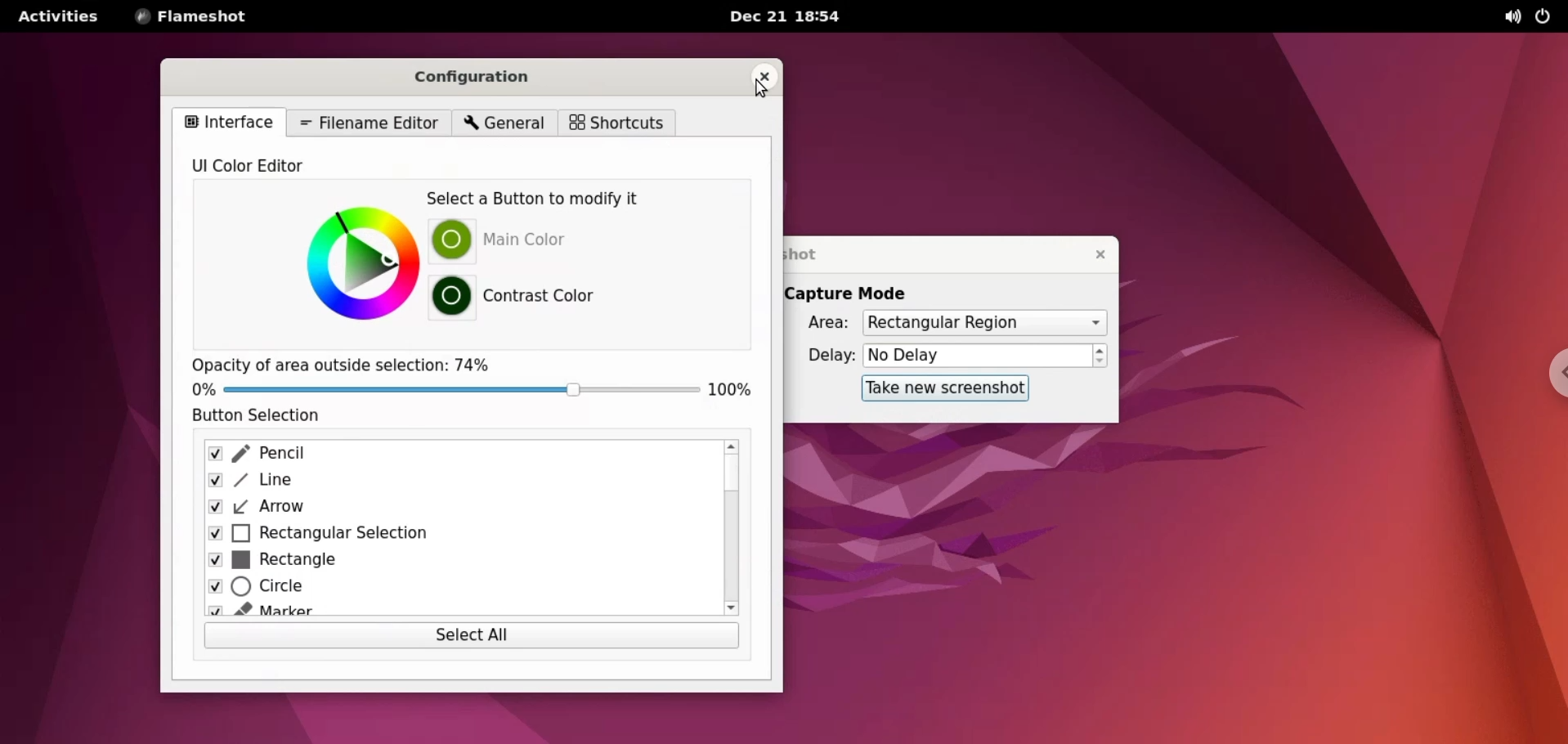  Describe the element at coordinates (544, 297) in the screenshot. I see `contrast color` at that location.